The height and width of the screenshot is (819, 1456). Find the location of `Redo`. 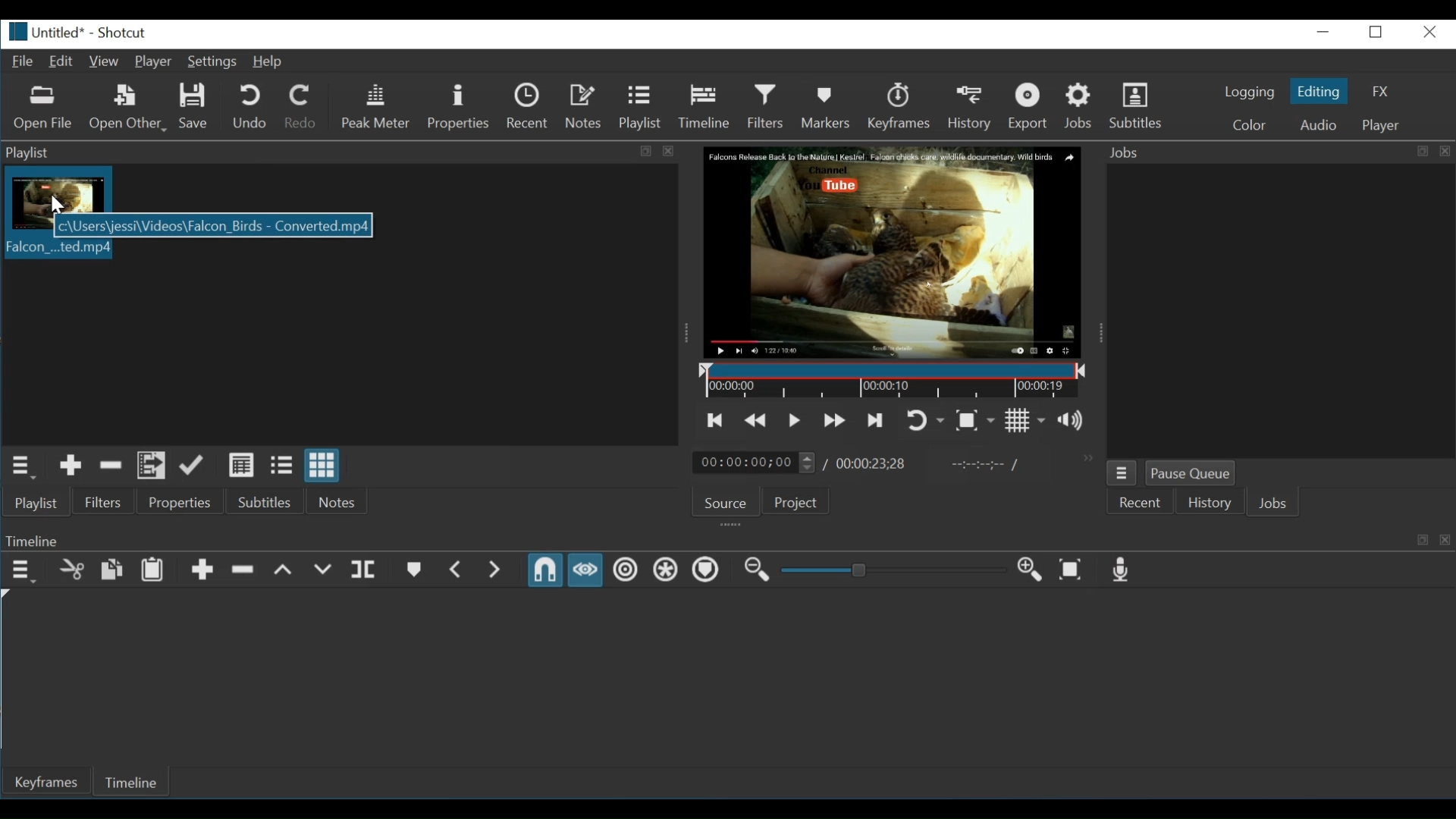

Redo is located at coordinates (301, 106).